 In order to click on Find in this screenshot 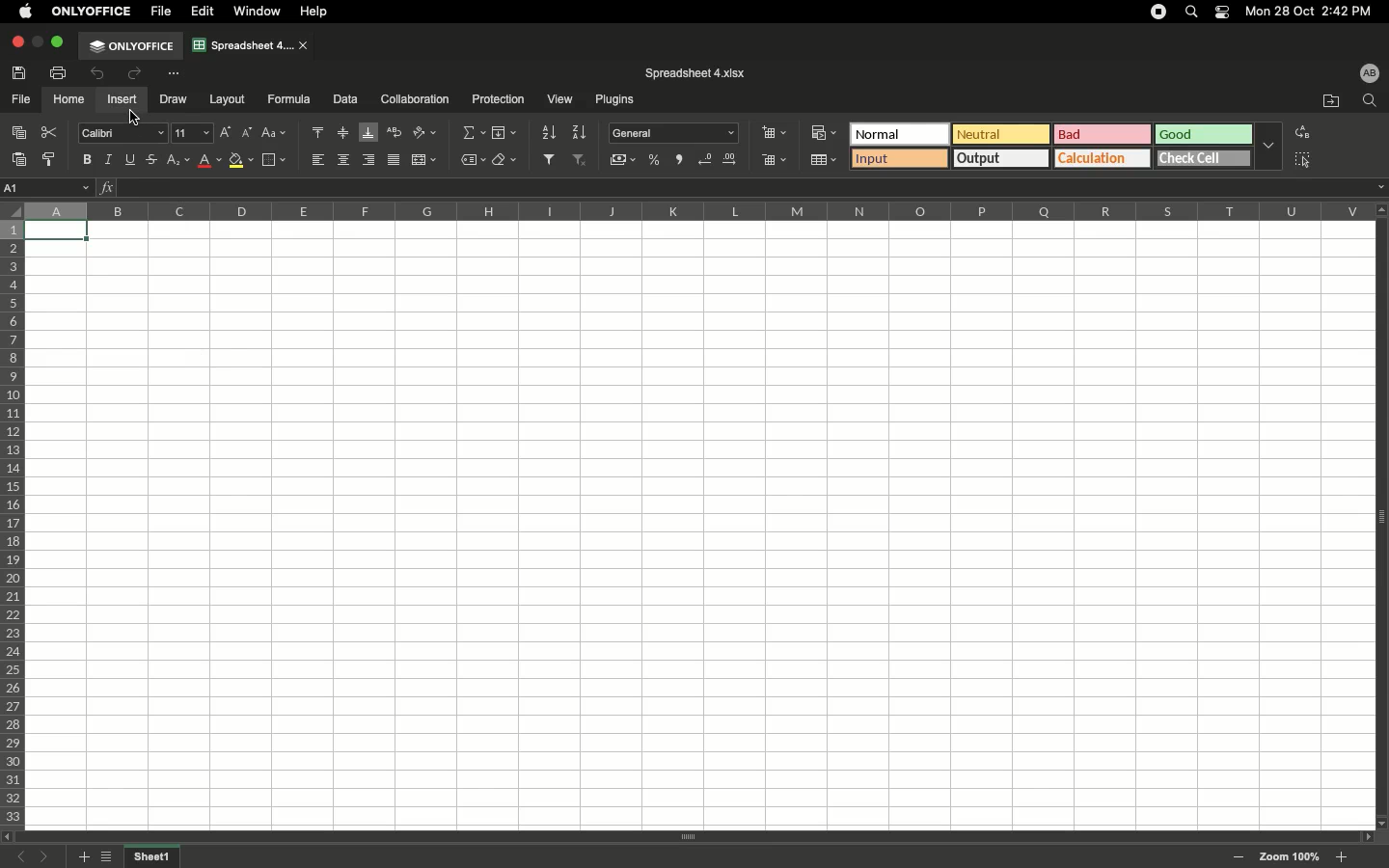, I will do `click(1369, 101)`.